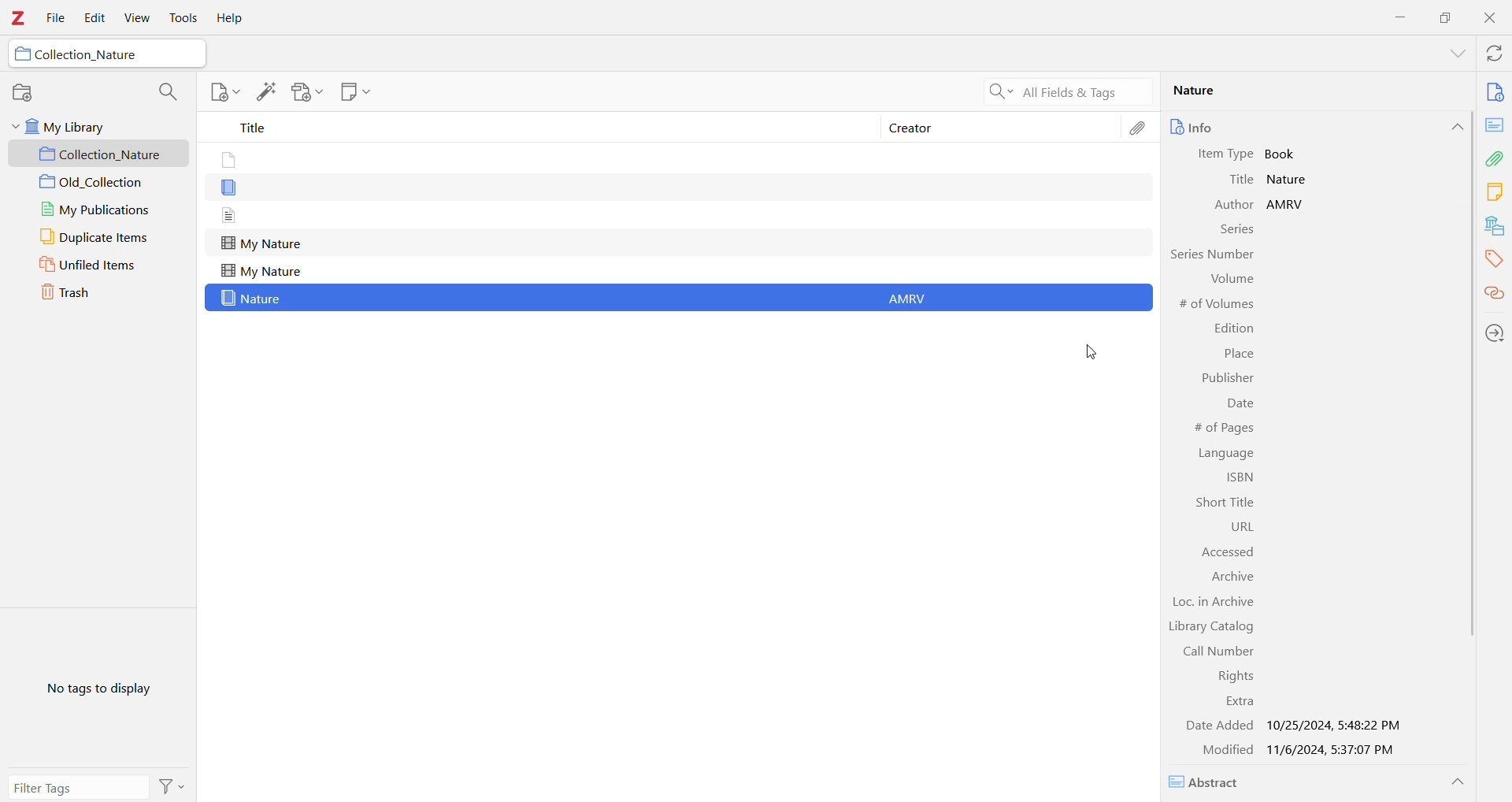  Describe the element at coordinates (1231, 676) in the screenshot. I see `Rights` at that location.